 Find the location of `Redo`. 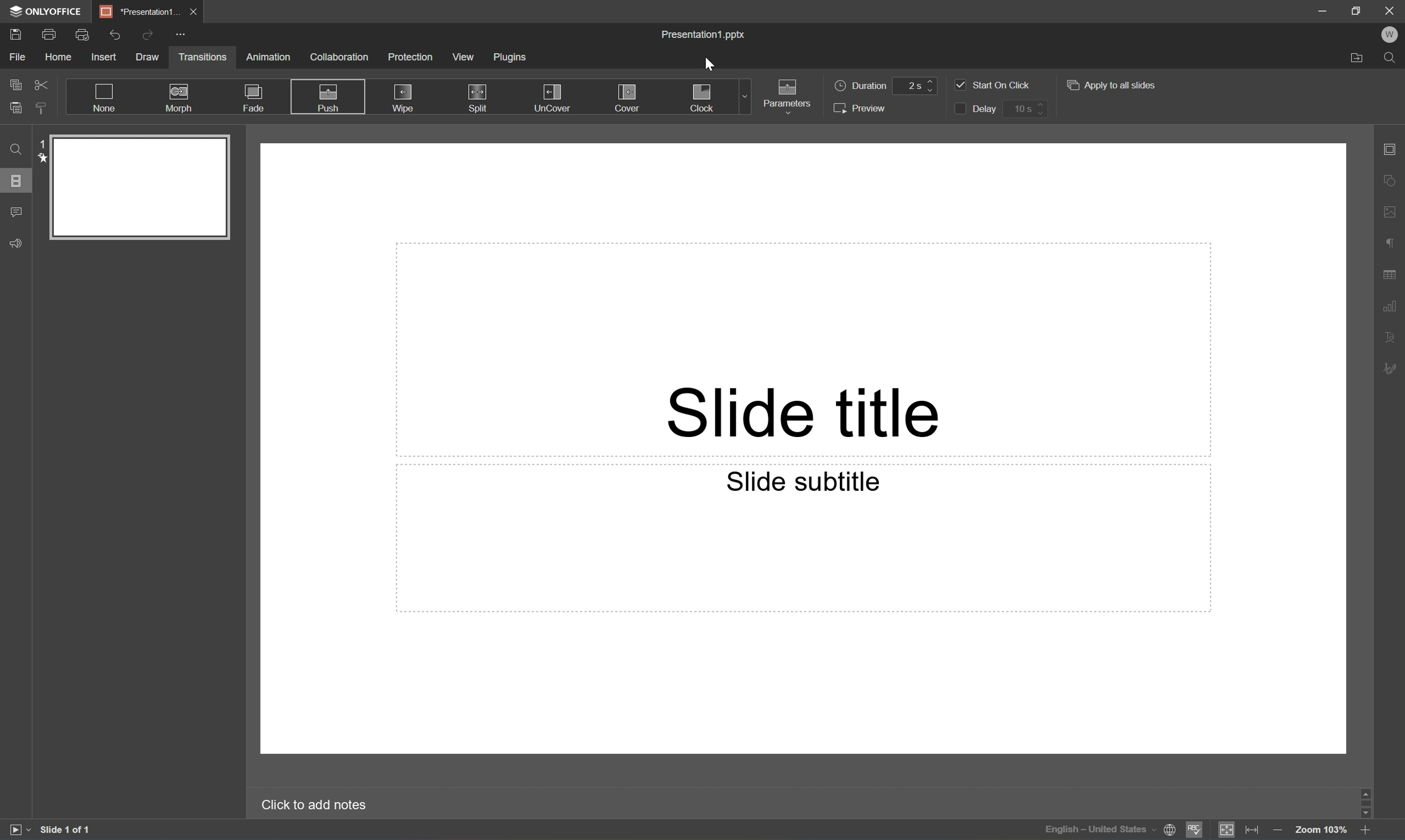

Redo is located at coordinates (147, 35).